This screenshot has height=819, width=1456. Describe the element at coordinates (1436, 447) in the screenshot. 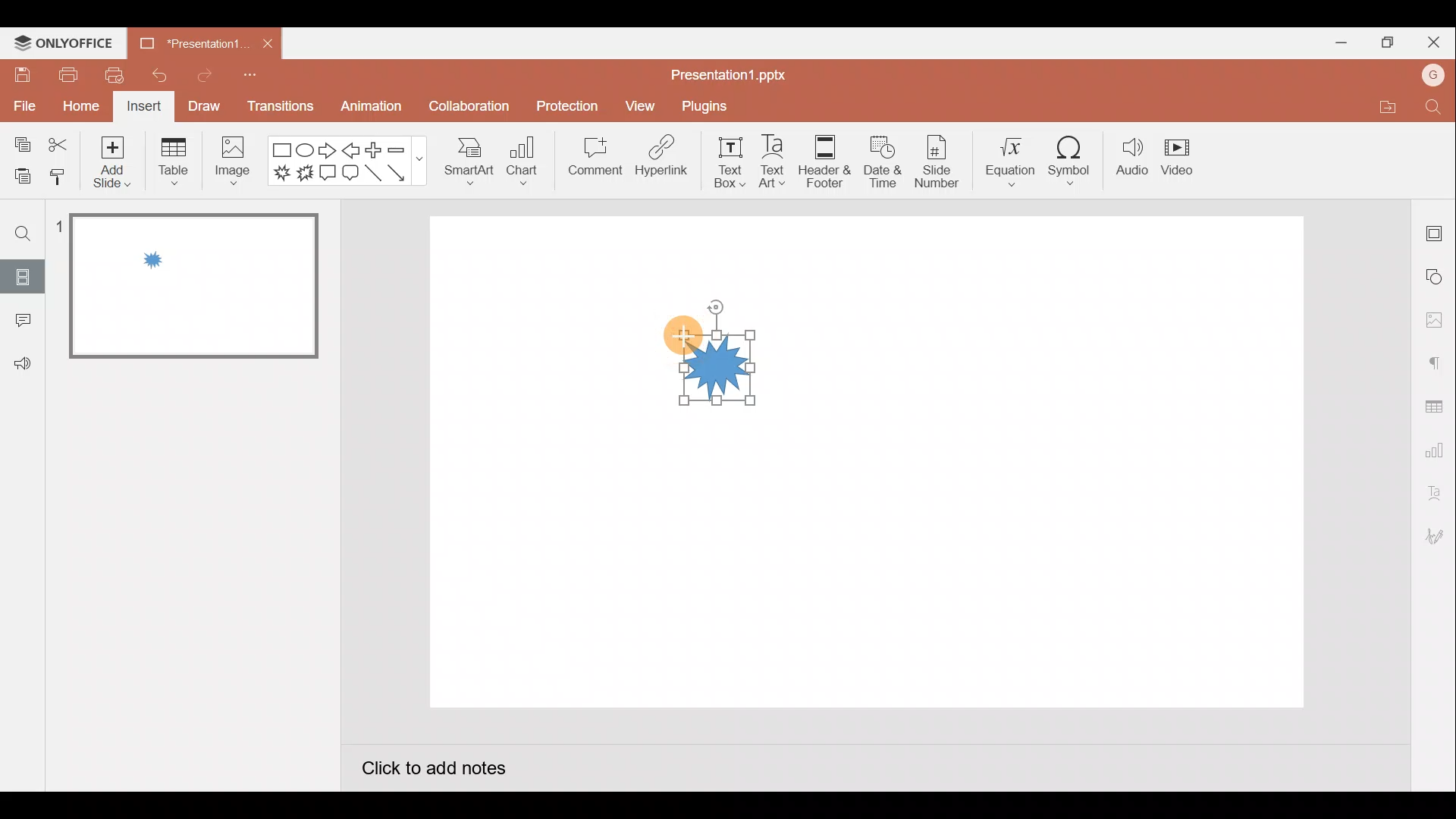

I see `Chart settings` at that location.